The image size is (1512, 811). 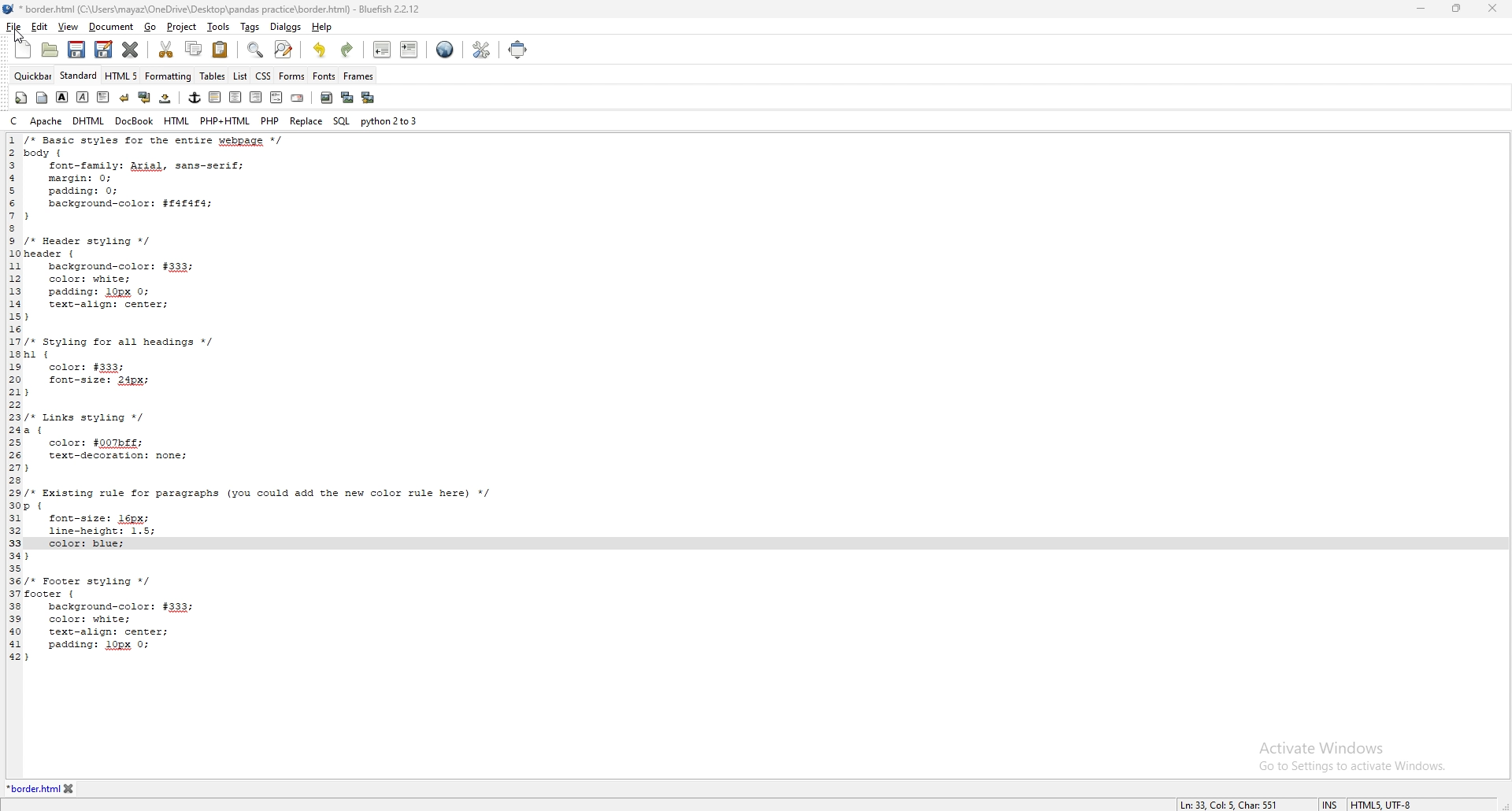 I want to click on undo, so click(x=321, y=49).